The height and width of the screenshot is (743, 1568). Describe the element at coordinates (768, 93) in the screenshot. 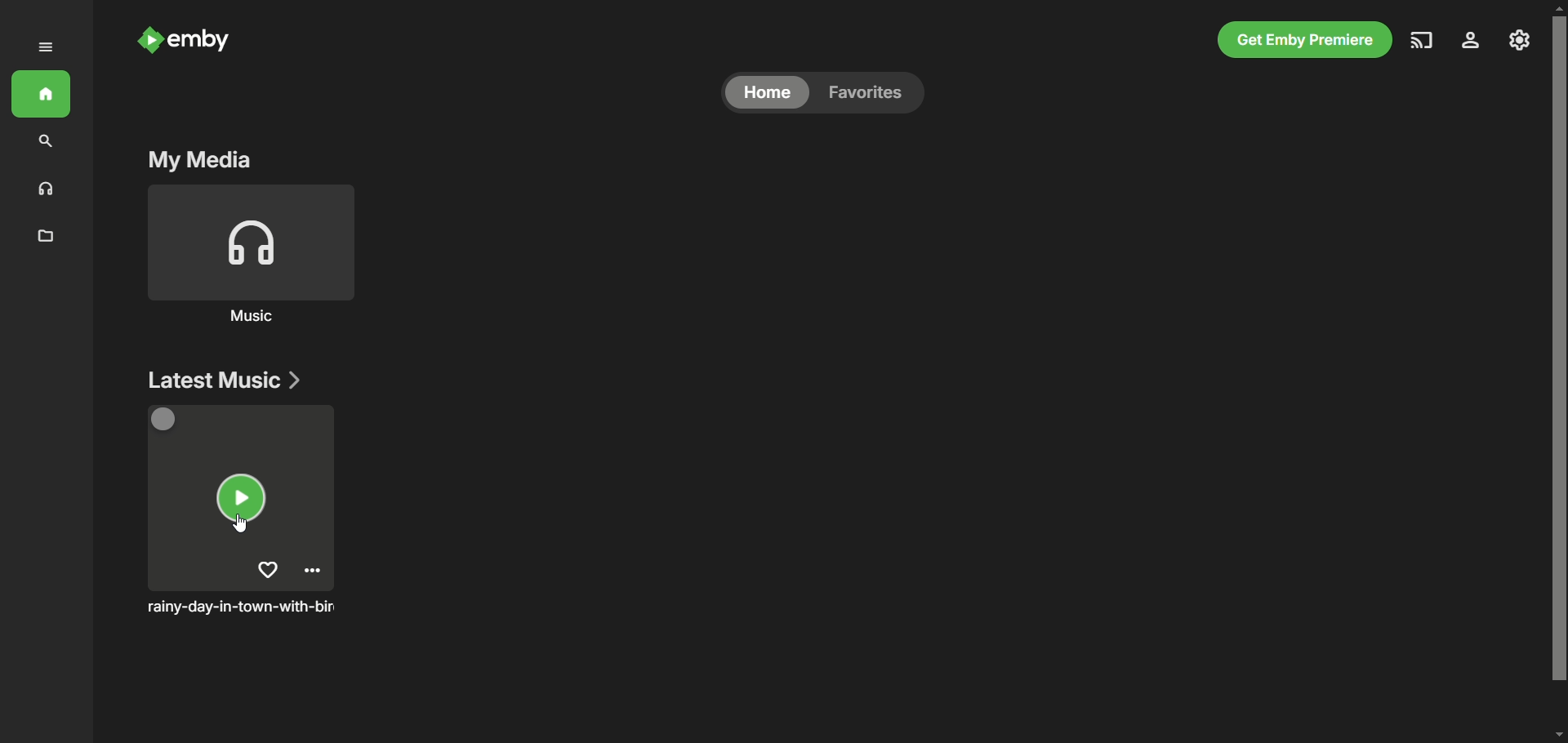

I see `home` at that location.